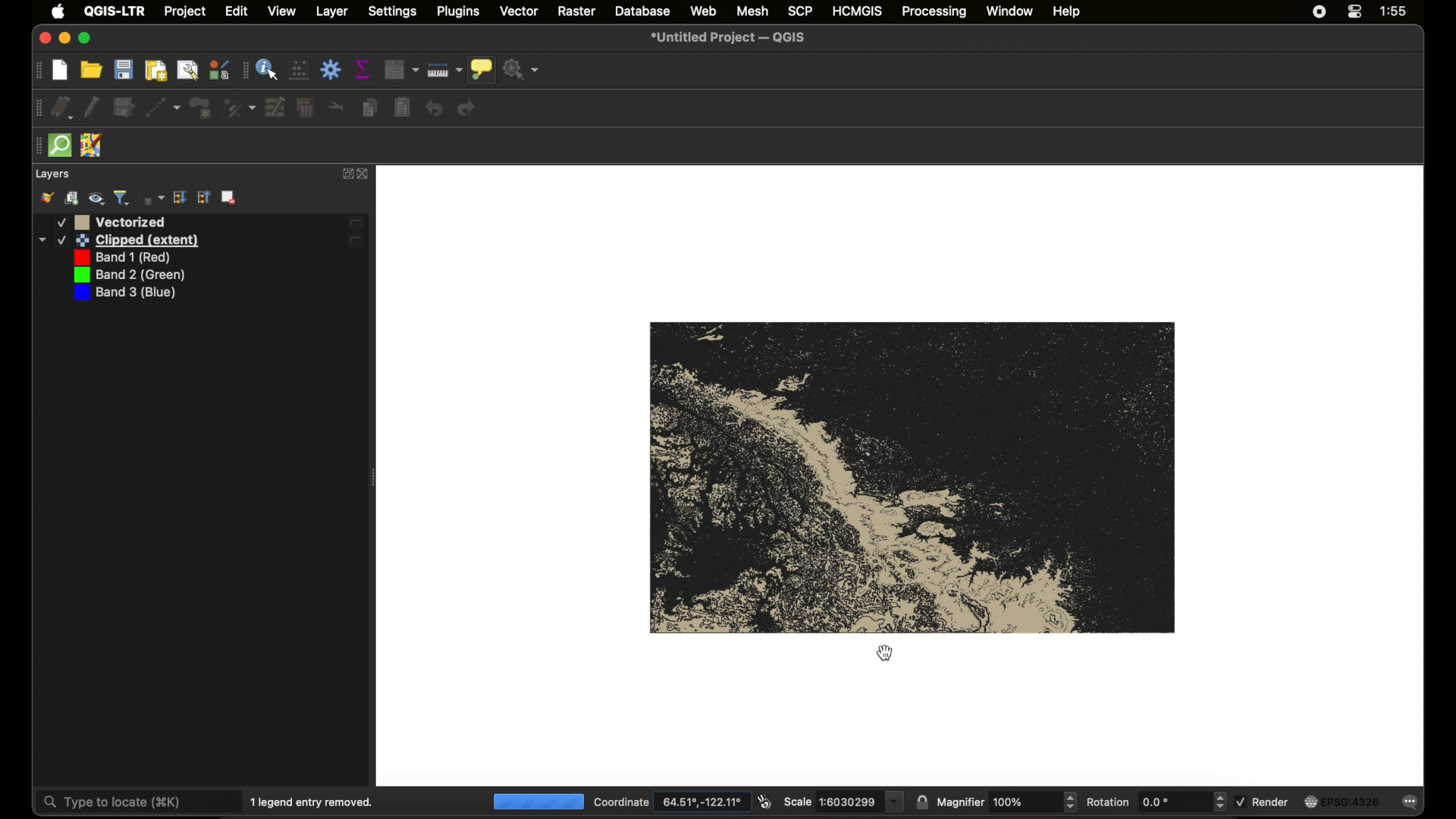 The width and height of the screenshot is (1456, 819). Describe the element at coordinates (393, 12) in the screenshot. I see `settings` at that location.